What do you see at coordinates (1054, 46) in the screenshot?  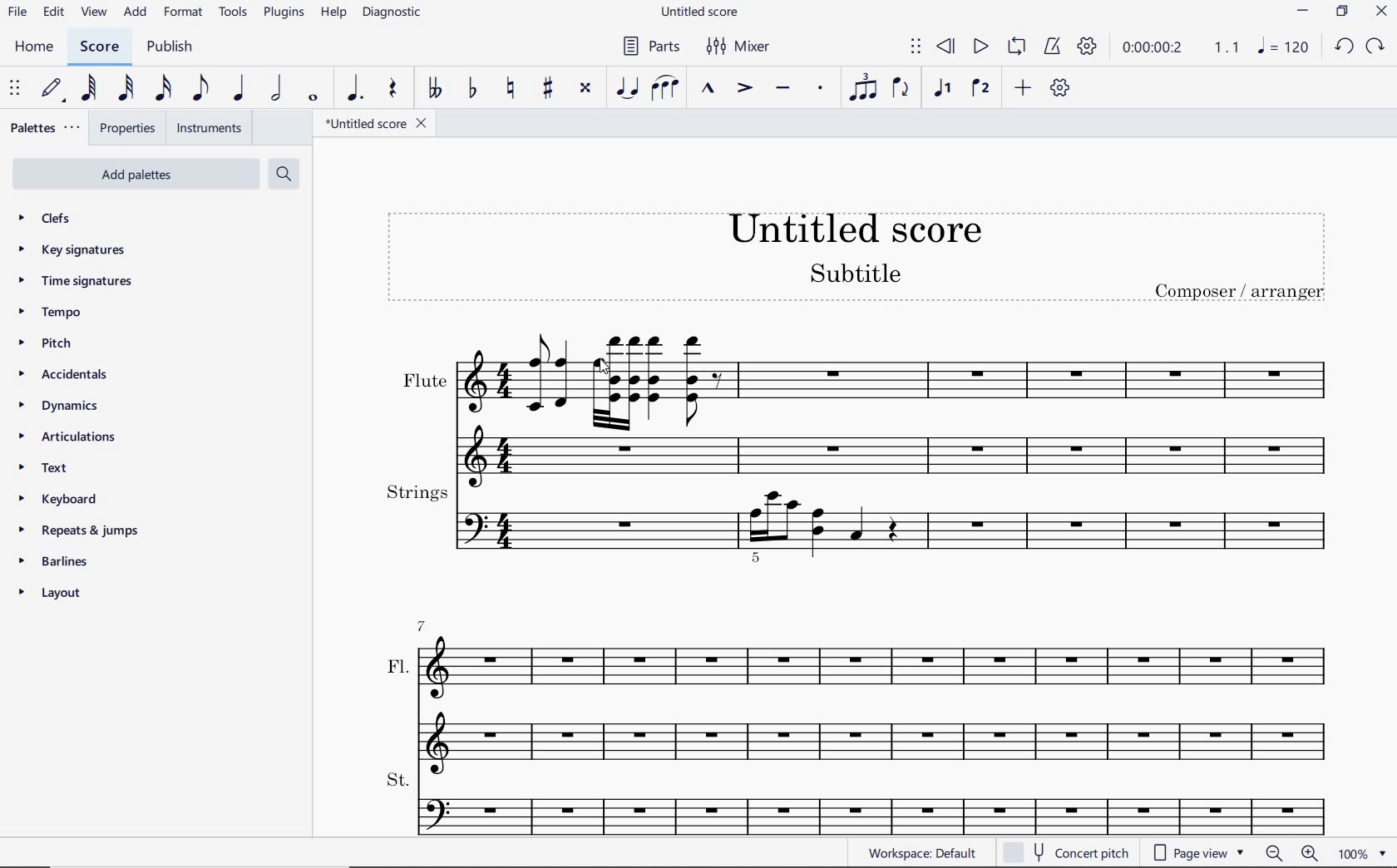 I see `METRONOME` at bounding box center [1054, 46].